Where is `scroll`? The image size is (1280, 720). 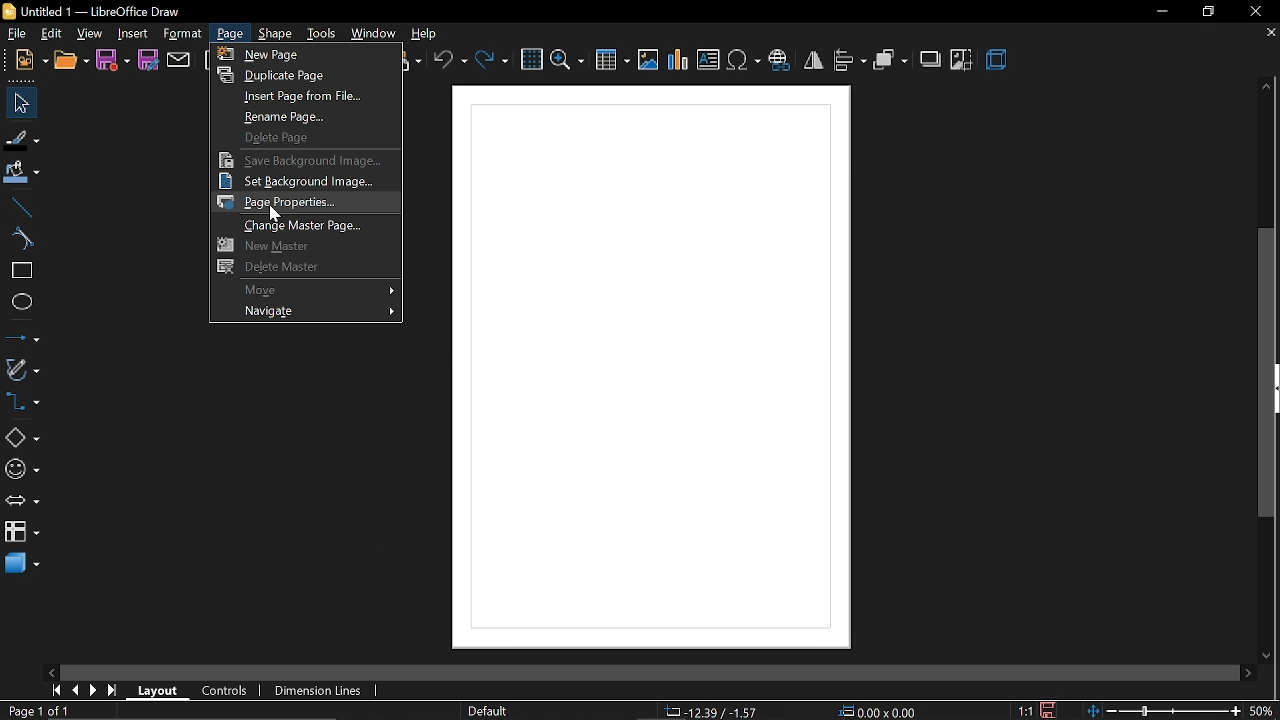
scroll is located at coordinates (641, 668).